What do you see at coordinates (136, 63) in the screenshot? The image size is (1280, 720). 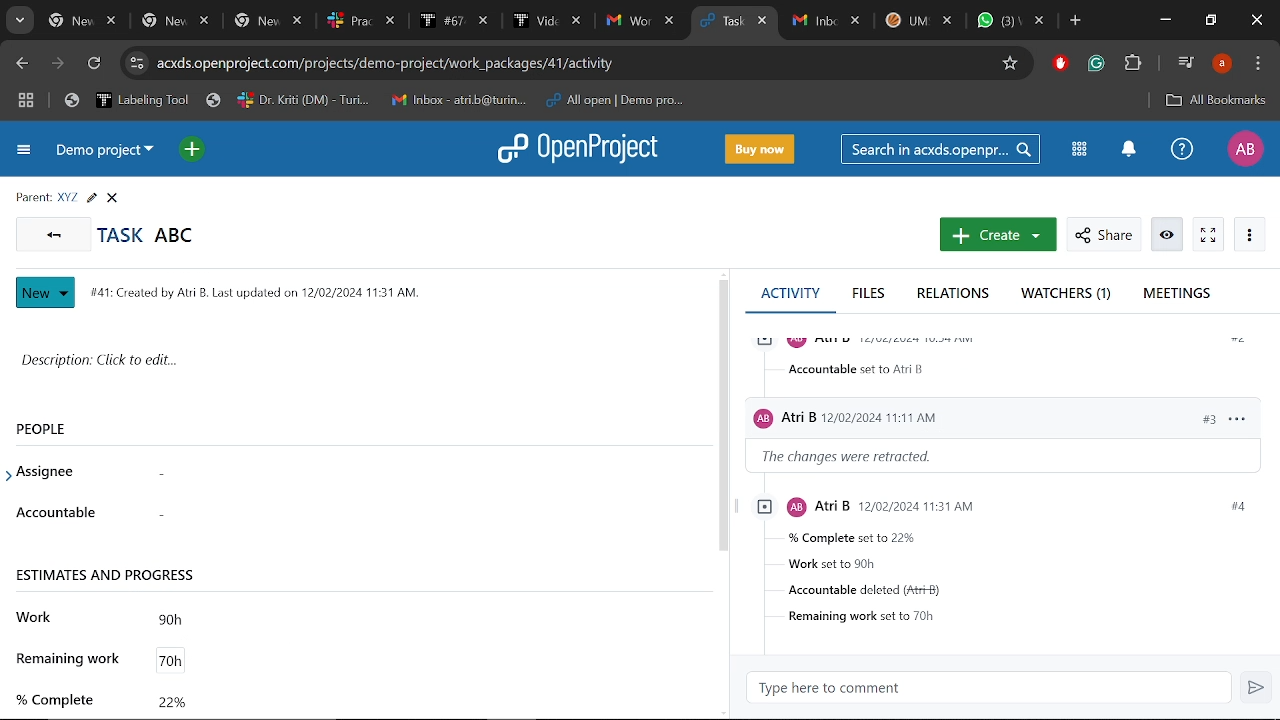 I see `Cite information` at bounding box center [136, 63].